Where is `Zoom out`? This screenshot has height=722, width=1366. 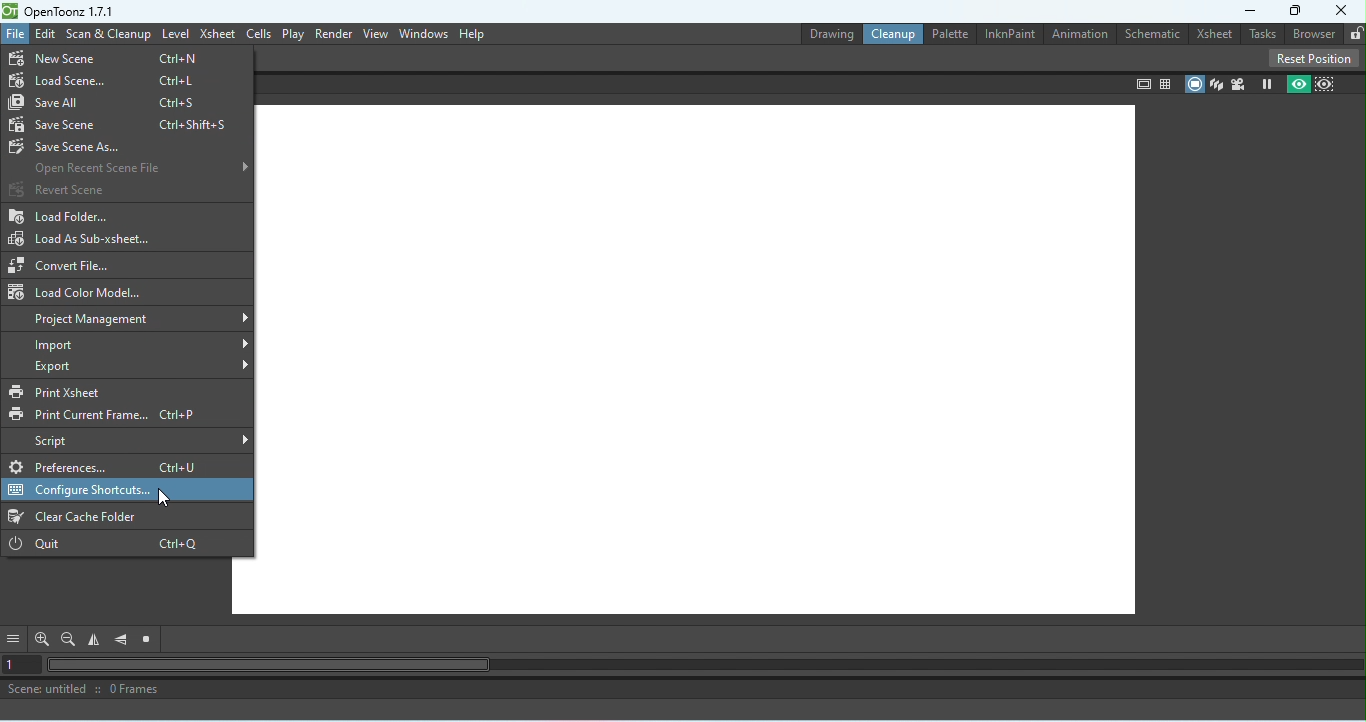
Zoom out is located at coordinates (68, 639).